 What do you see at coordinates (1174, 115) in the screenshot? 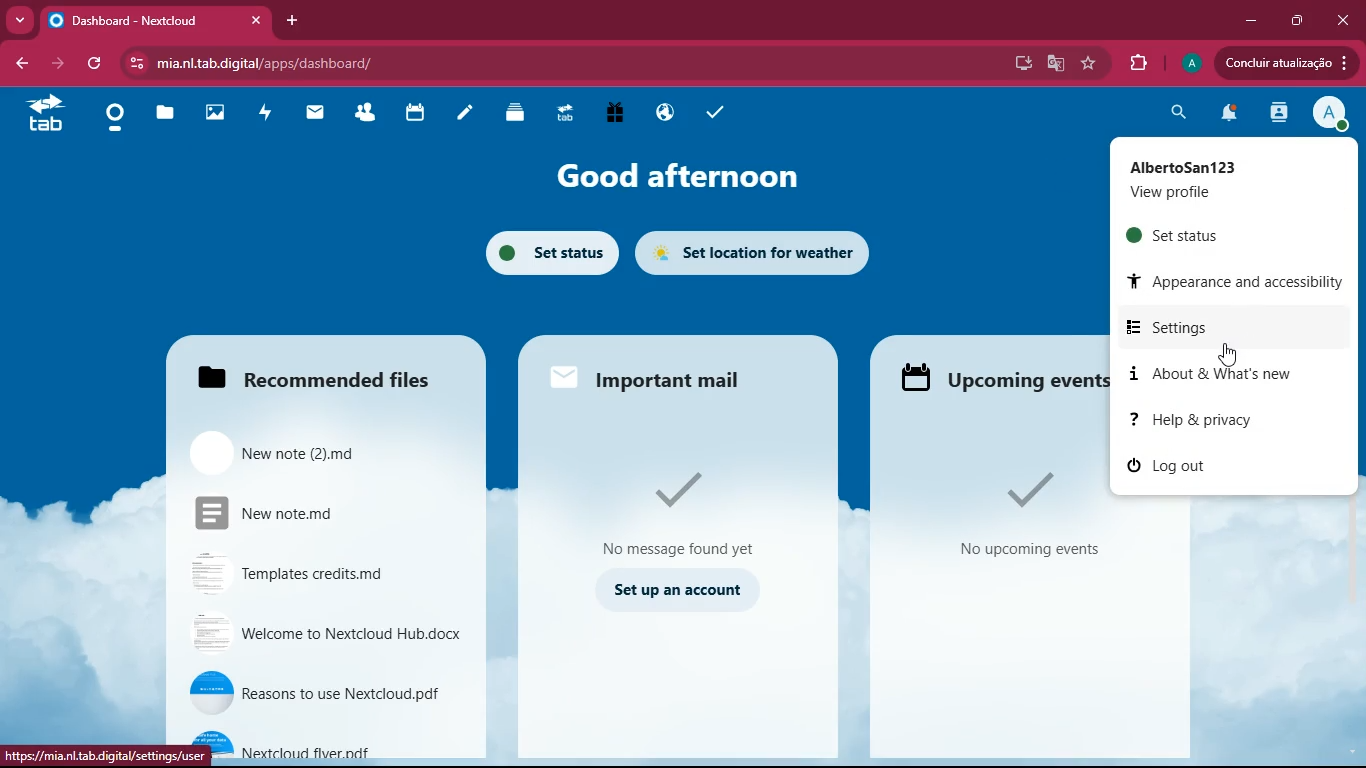
I see `search` at bounding box center [1174, 115].